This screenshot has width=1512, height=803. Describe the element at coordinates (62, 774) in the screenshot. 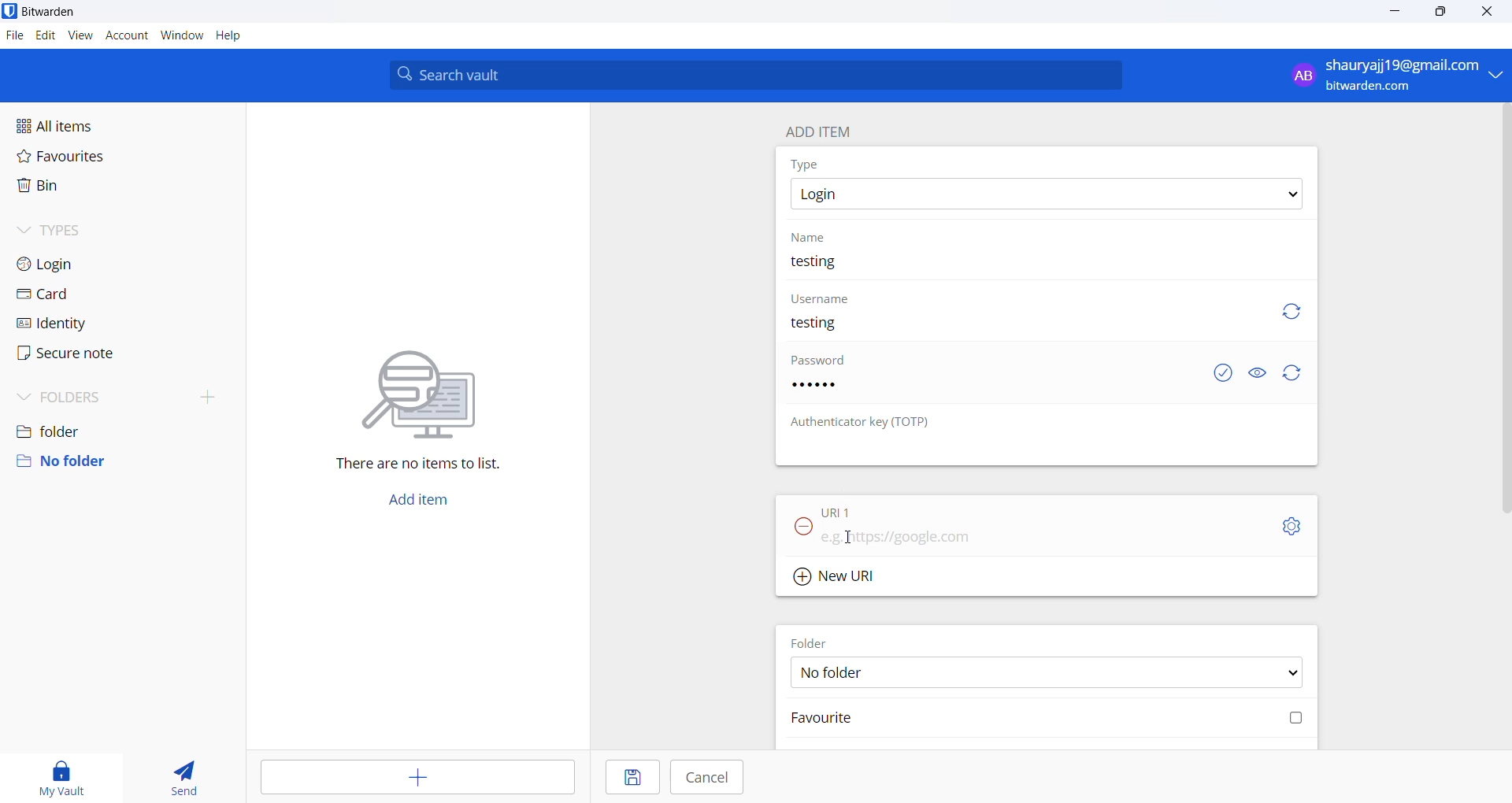

I see `my vault` at that location.